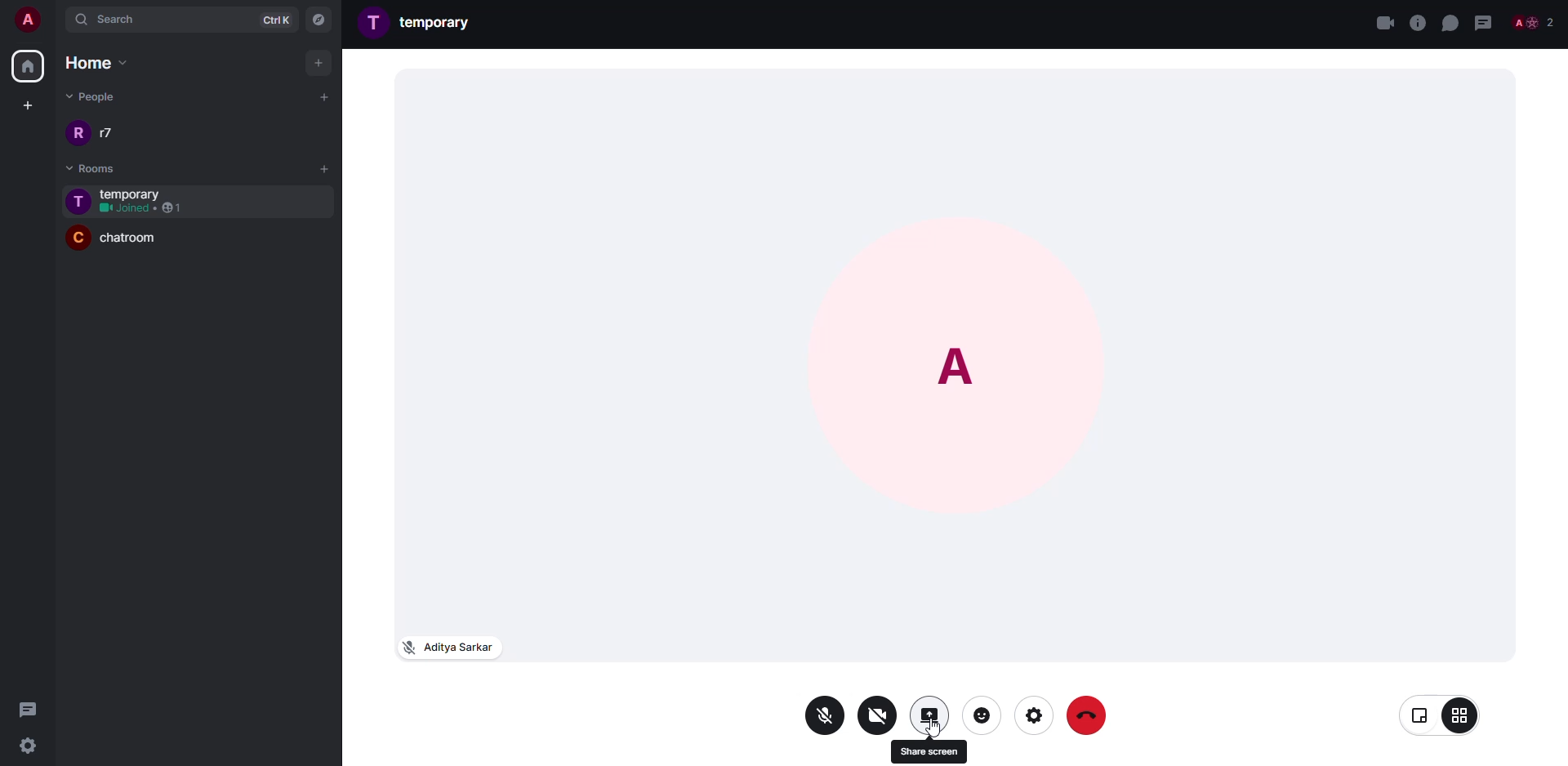 This screenshot has width=1568, height=766. I want to click on search, so click(140, 20).